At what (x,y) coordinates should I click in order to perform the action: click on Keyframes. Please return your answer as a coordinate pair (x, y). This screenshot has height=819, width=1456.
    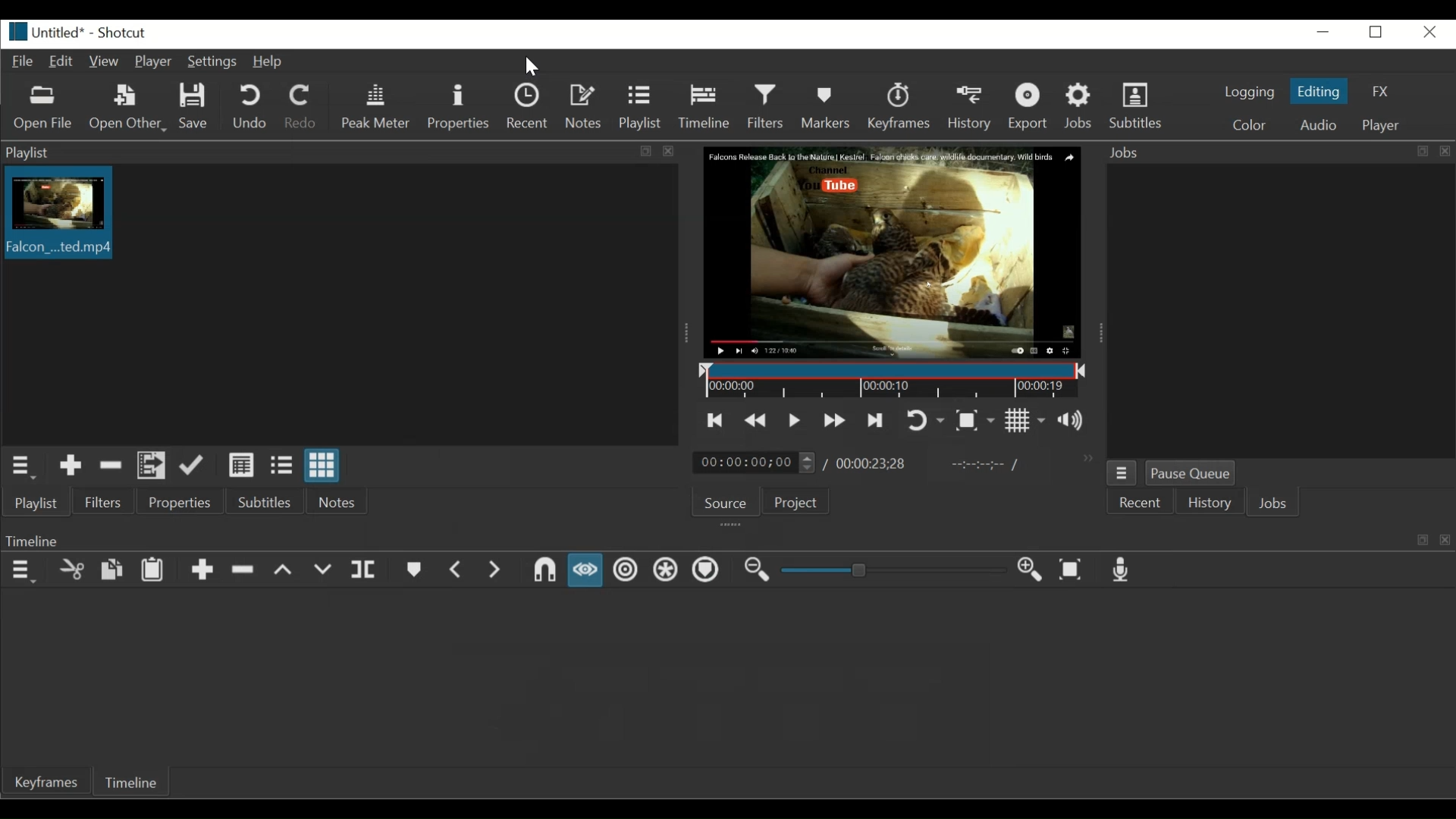
    Looking at the image, I should click on (899, 108).